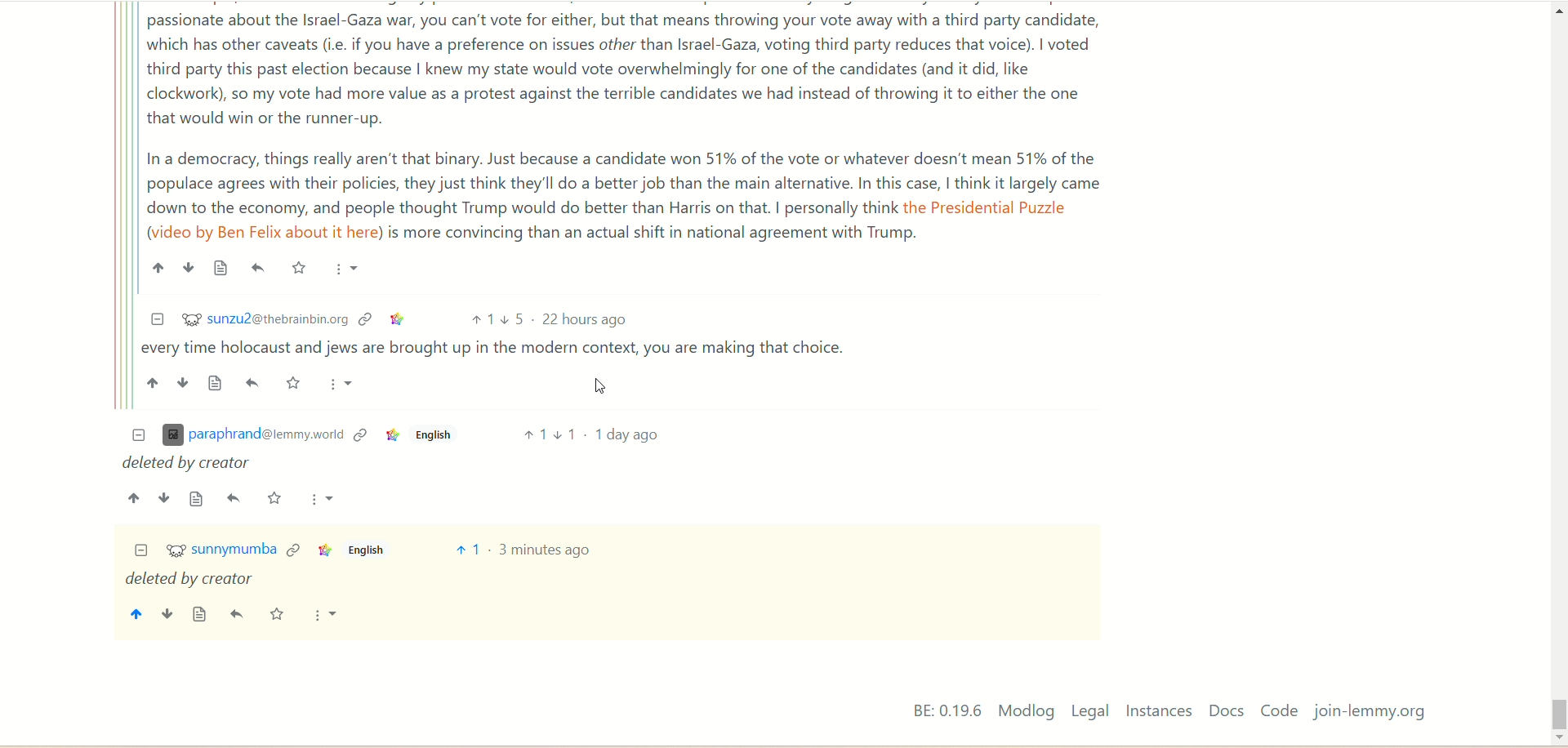 The width and height of the screenshot is (1568, 748). I want to click on Cursor, so click(604, 385).